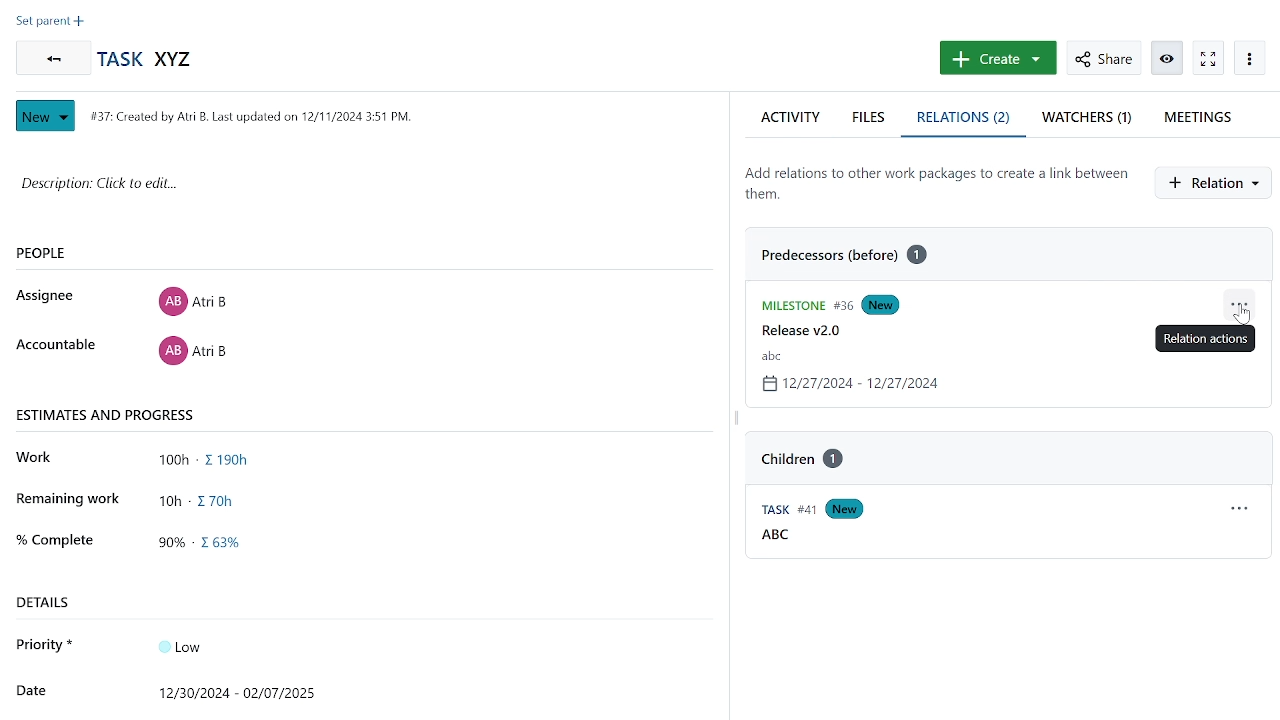 The width and height of the screenshot is (1280, 720). Describe the element at coordinates (1242, 303) in the screenshot. I see `relations actions` at that location.